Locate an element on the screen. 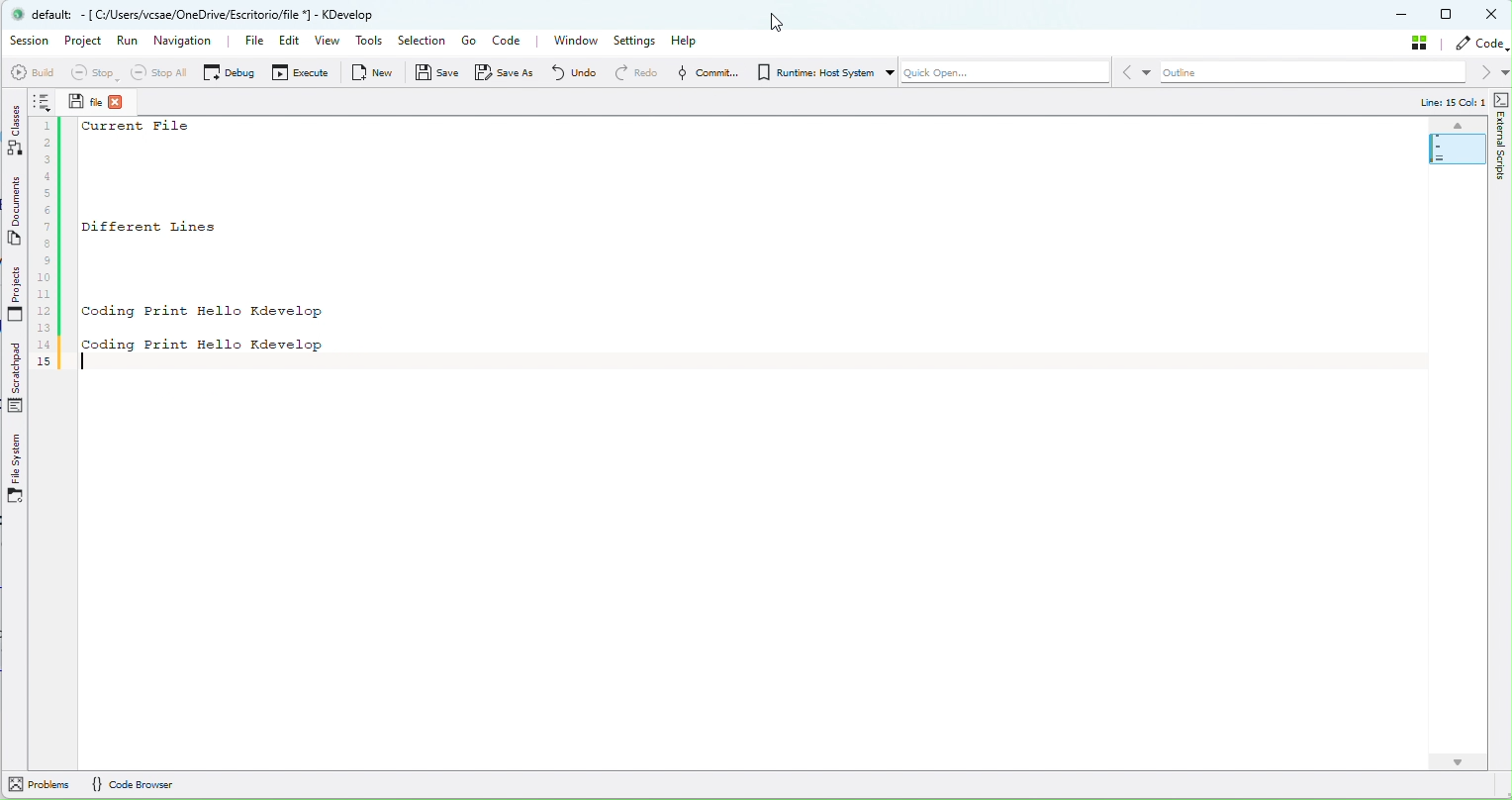 This screenshot has width=1512, height=800. Undo is located at coordinates (573, 71).